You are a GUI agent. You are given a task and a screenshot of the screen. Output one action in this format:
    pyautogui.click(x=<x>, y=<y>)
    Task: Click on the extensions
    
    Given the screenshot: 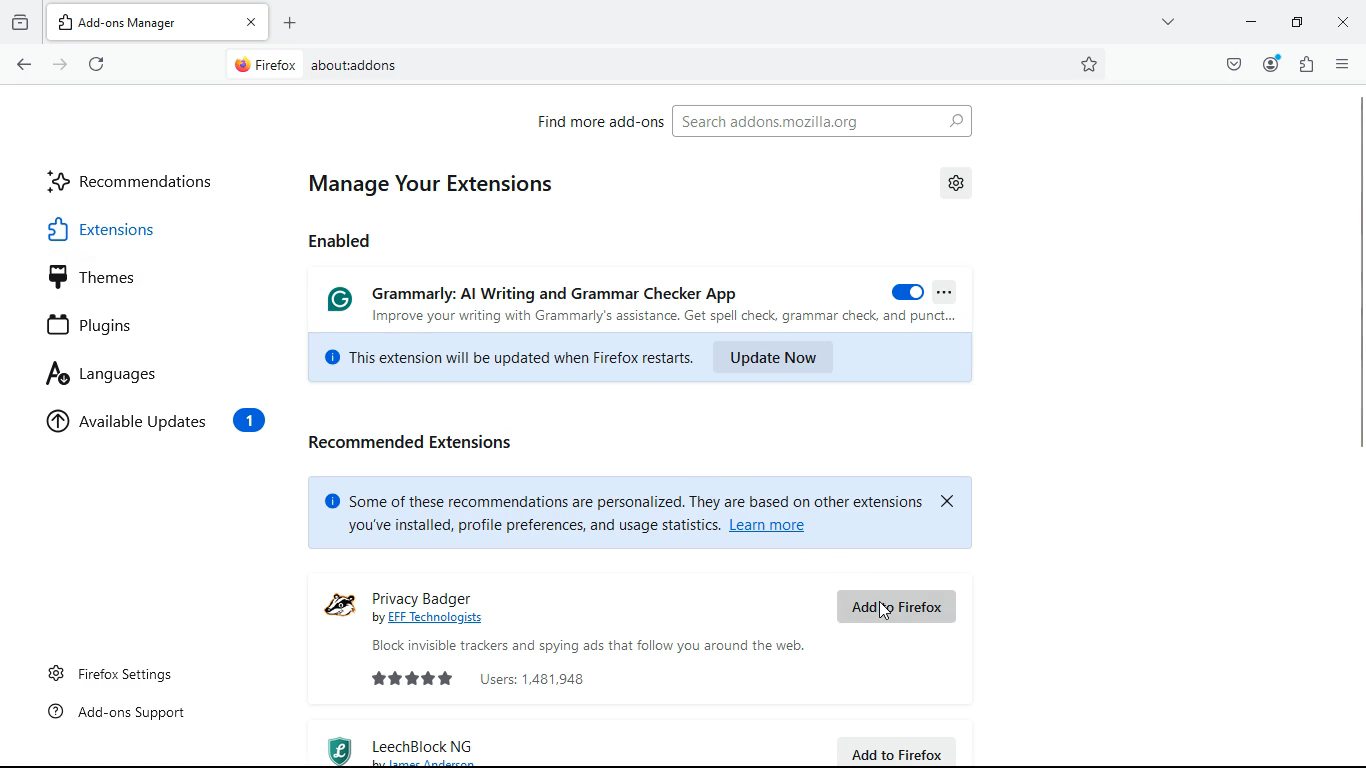 What is the action you would take?
    pyautogui.click(x=1309, y=63)
    